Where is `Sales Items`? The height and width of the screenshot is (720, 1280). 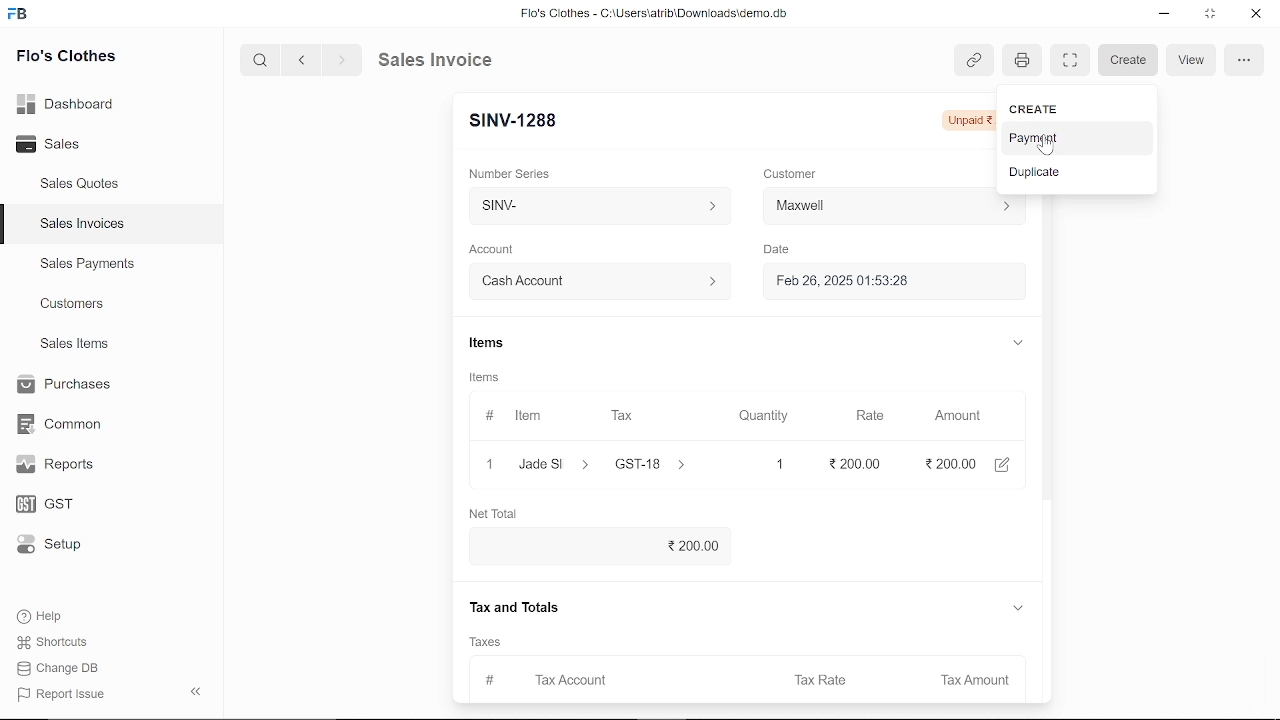
Sales Items is located at coordinates (74, 346).